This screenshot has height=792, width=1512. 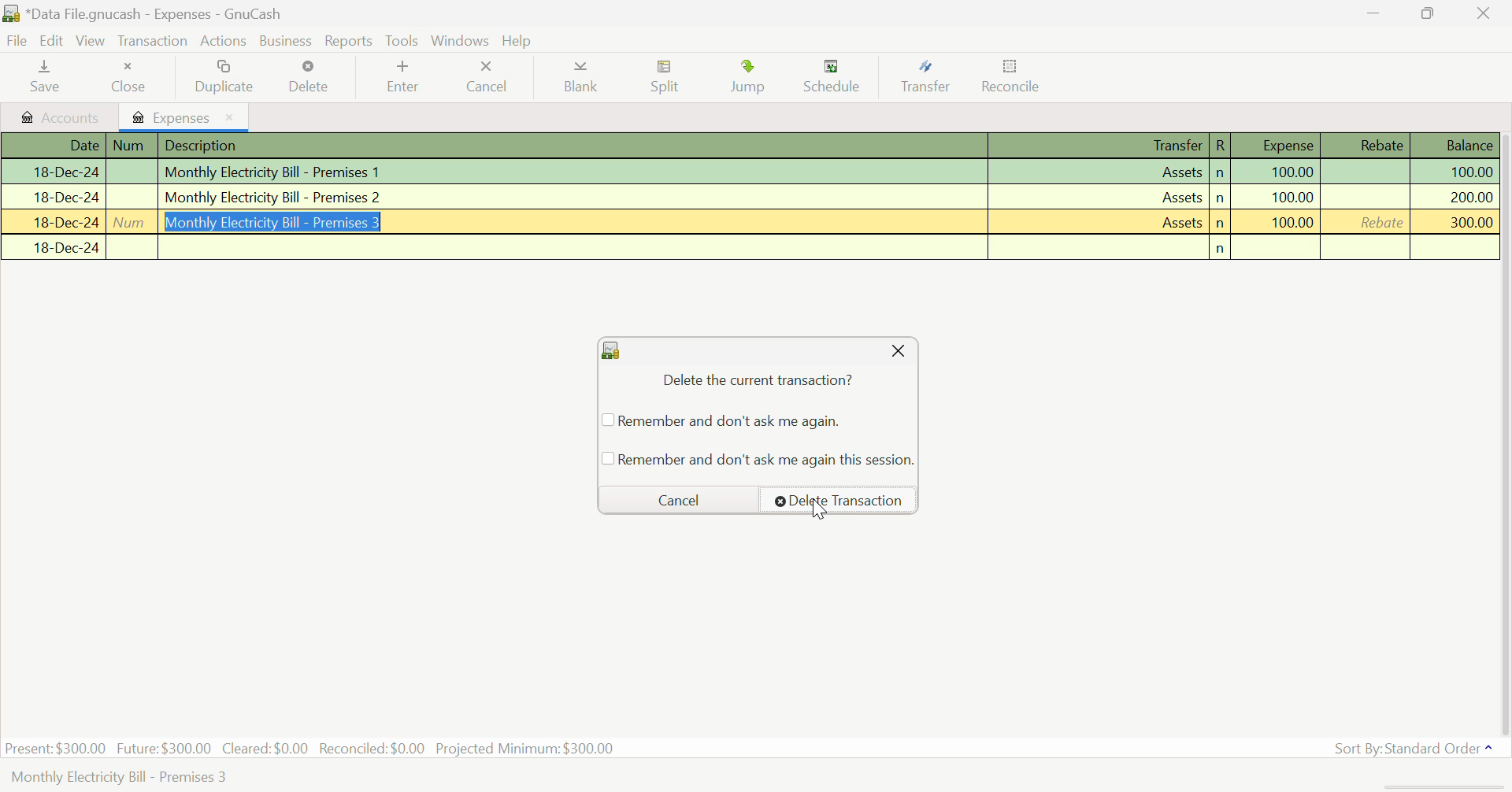 What do you see at coordinates (750, 146) in the screenshot?
I see `Column Headings` at bounding box center [750, 146].